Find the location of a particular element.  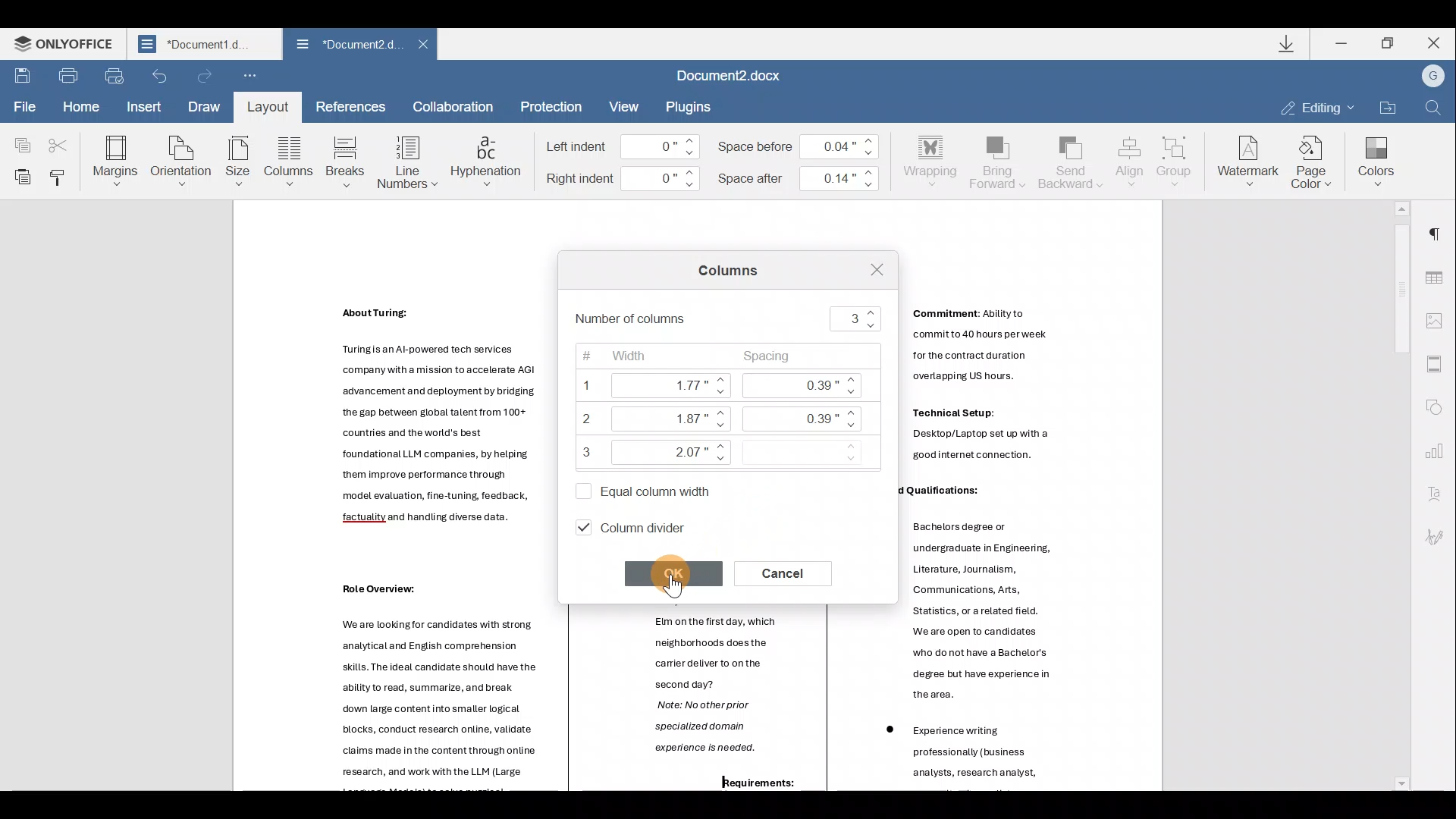

Document2.docx is located at coordinates (739, 77).